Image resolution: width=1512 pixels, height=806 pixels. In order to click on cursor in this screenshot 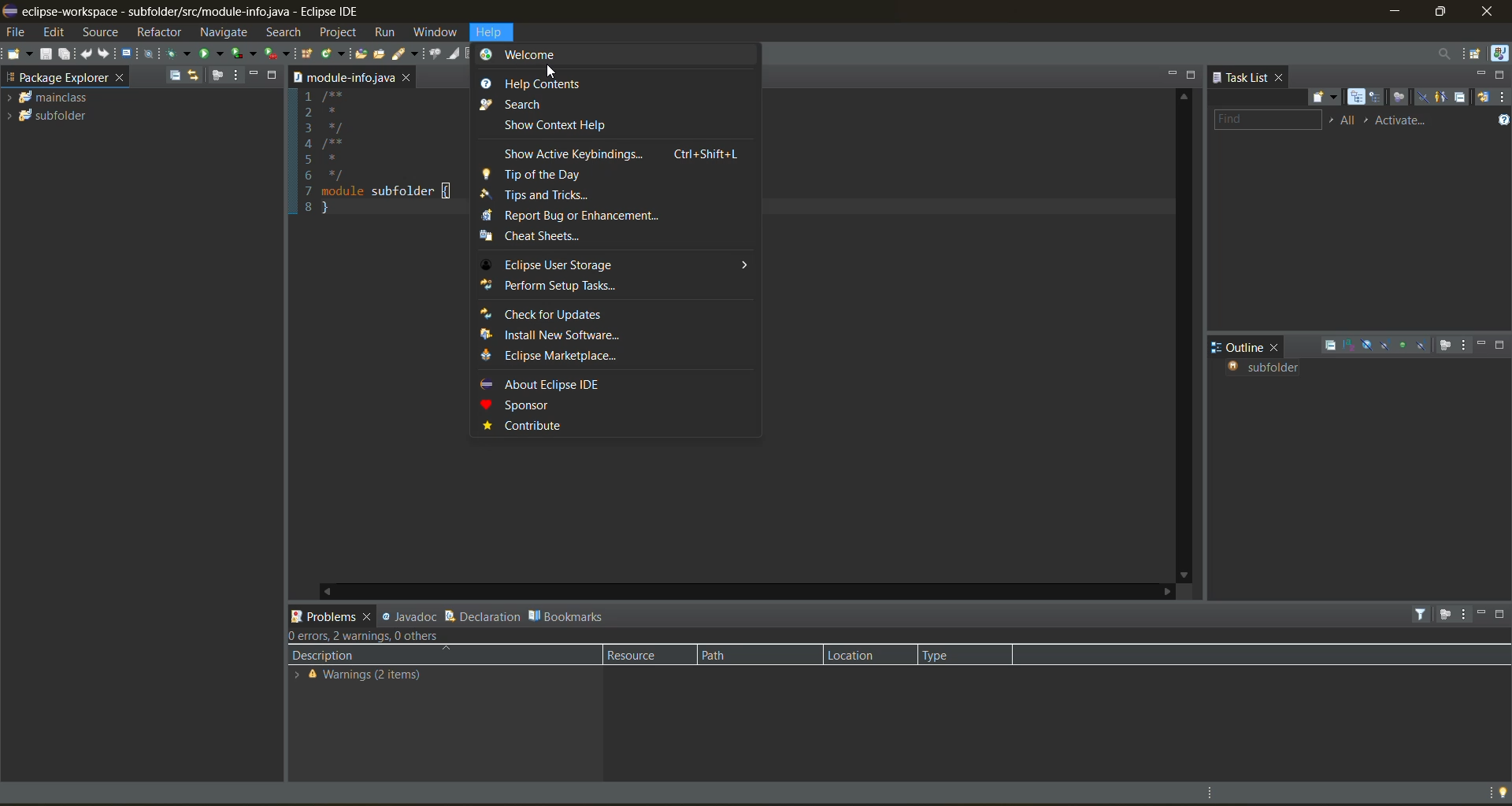, I will do `click(551, 72)`.